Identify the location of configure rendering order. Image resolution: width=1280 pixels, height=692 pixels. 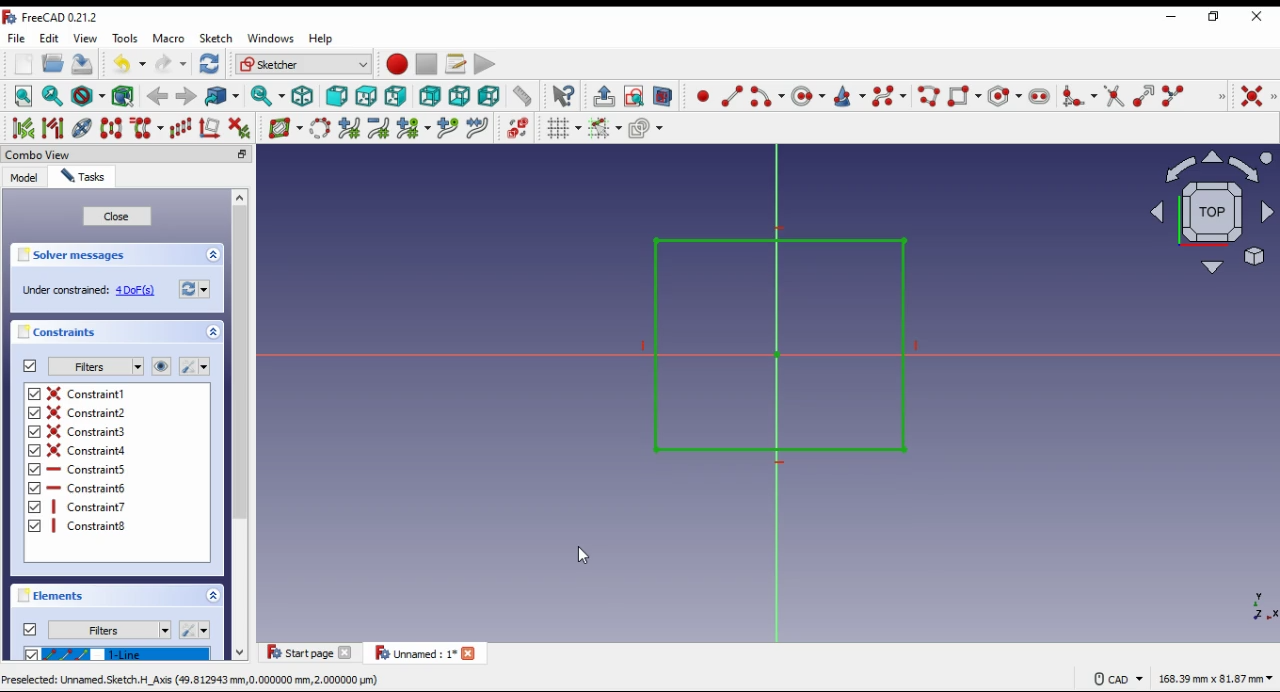
(647, 128).